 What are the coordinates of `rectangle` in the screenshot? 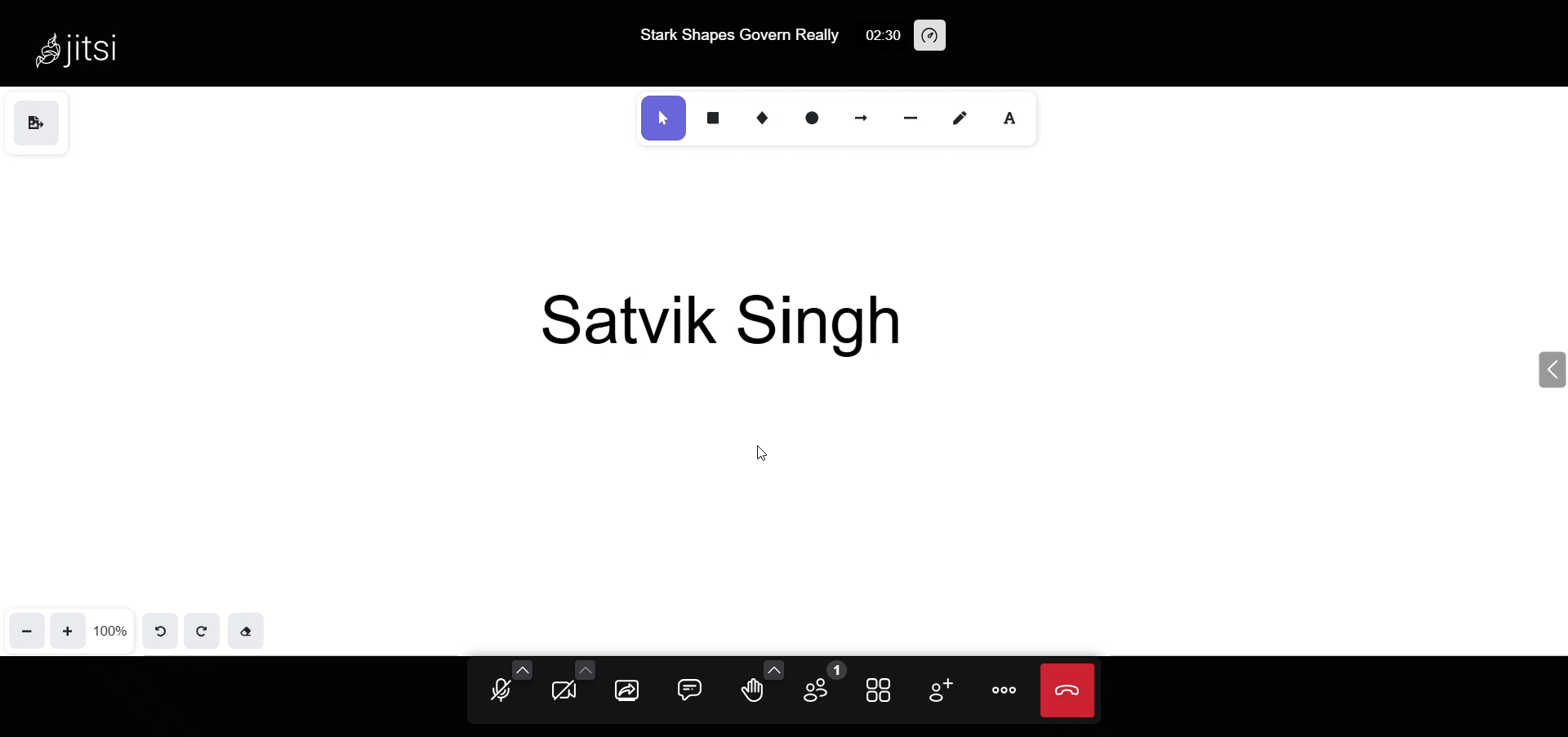 It's located at (712, 117).